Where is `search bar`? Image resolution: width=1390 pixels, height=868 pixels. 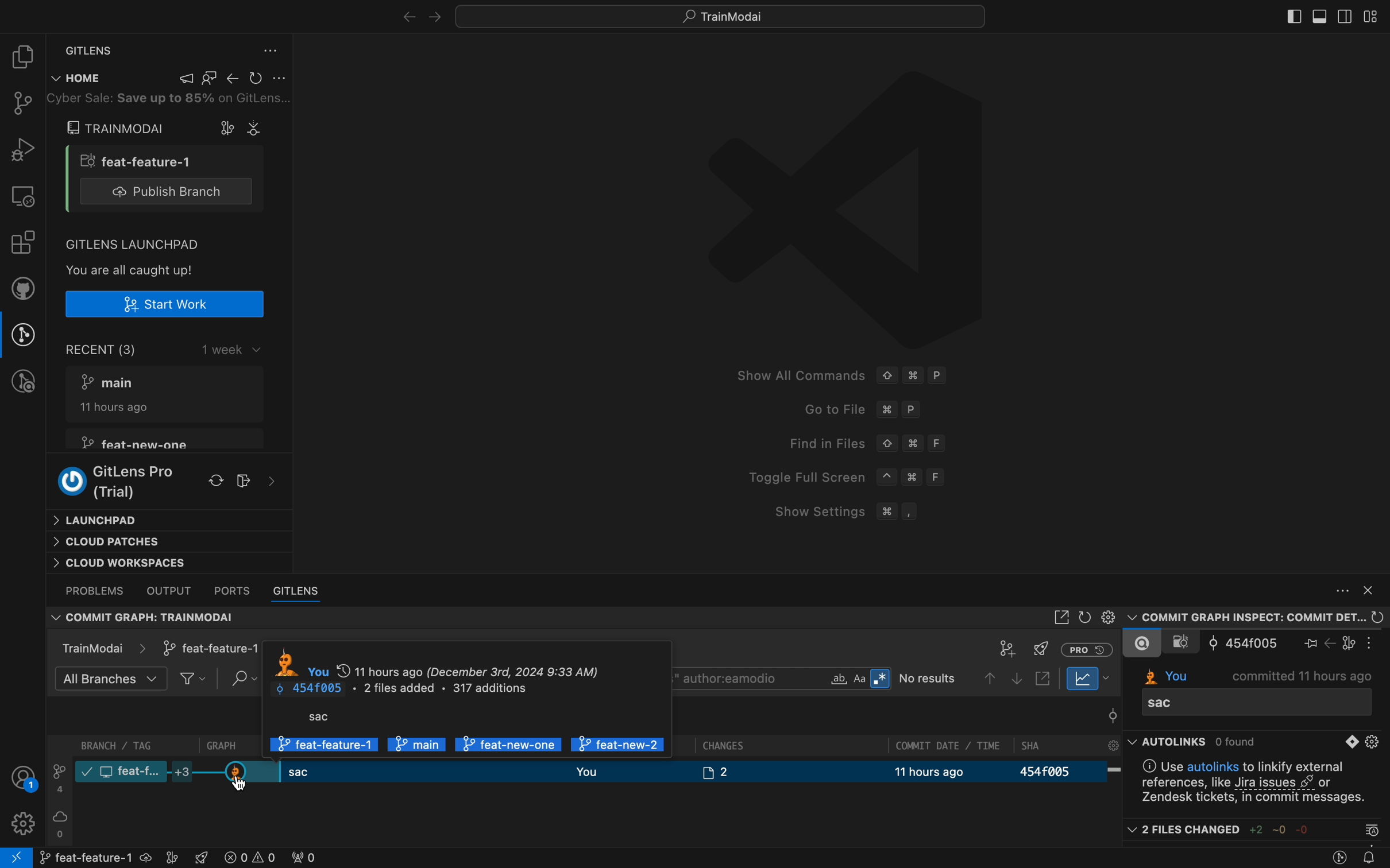
search bar is located at coordinates (783, 680).